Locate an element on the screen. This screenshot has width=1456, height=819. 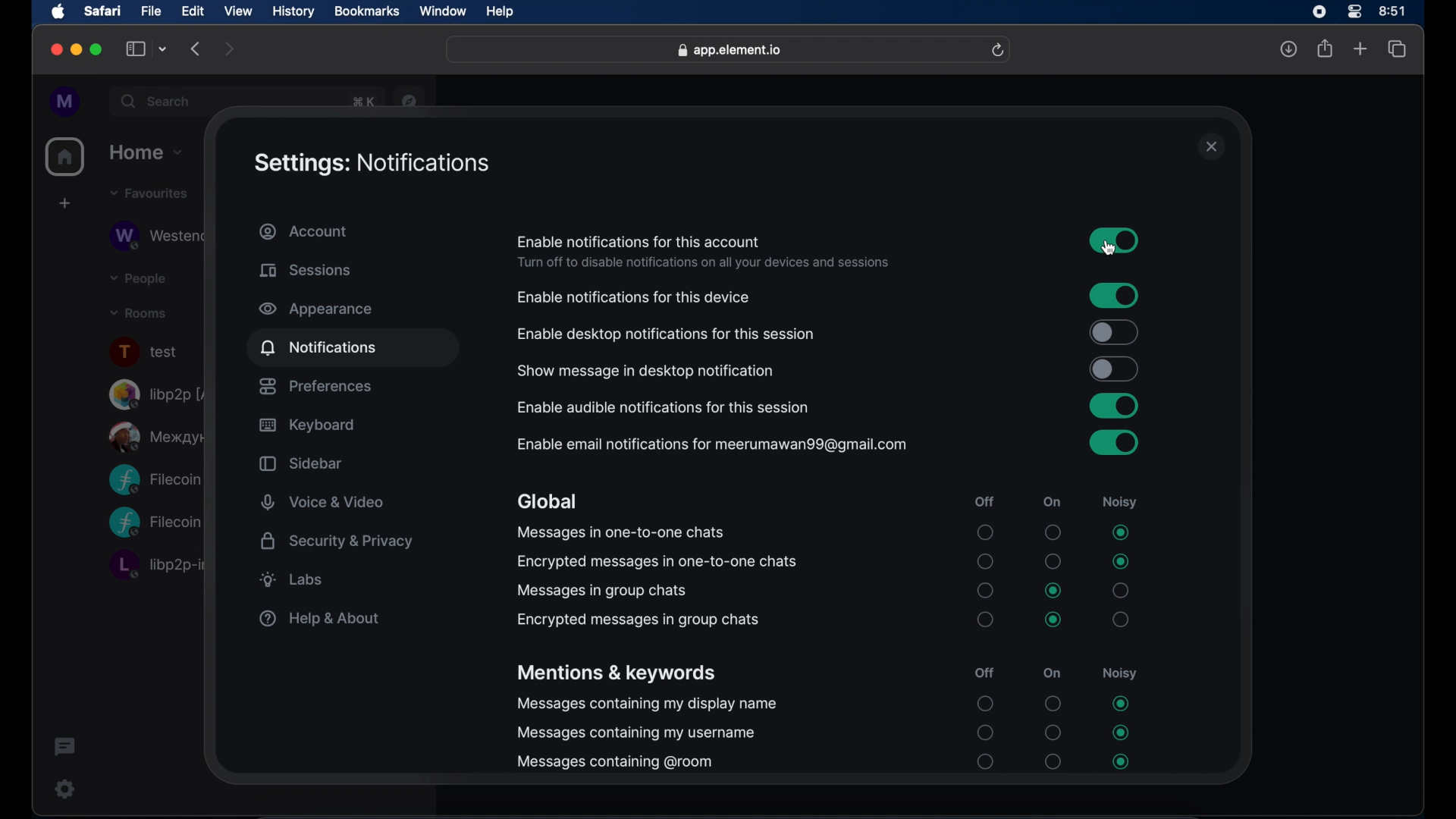
toggle button is located at coordinates (1115, 240).